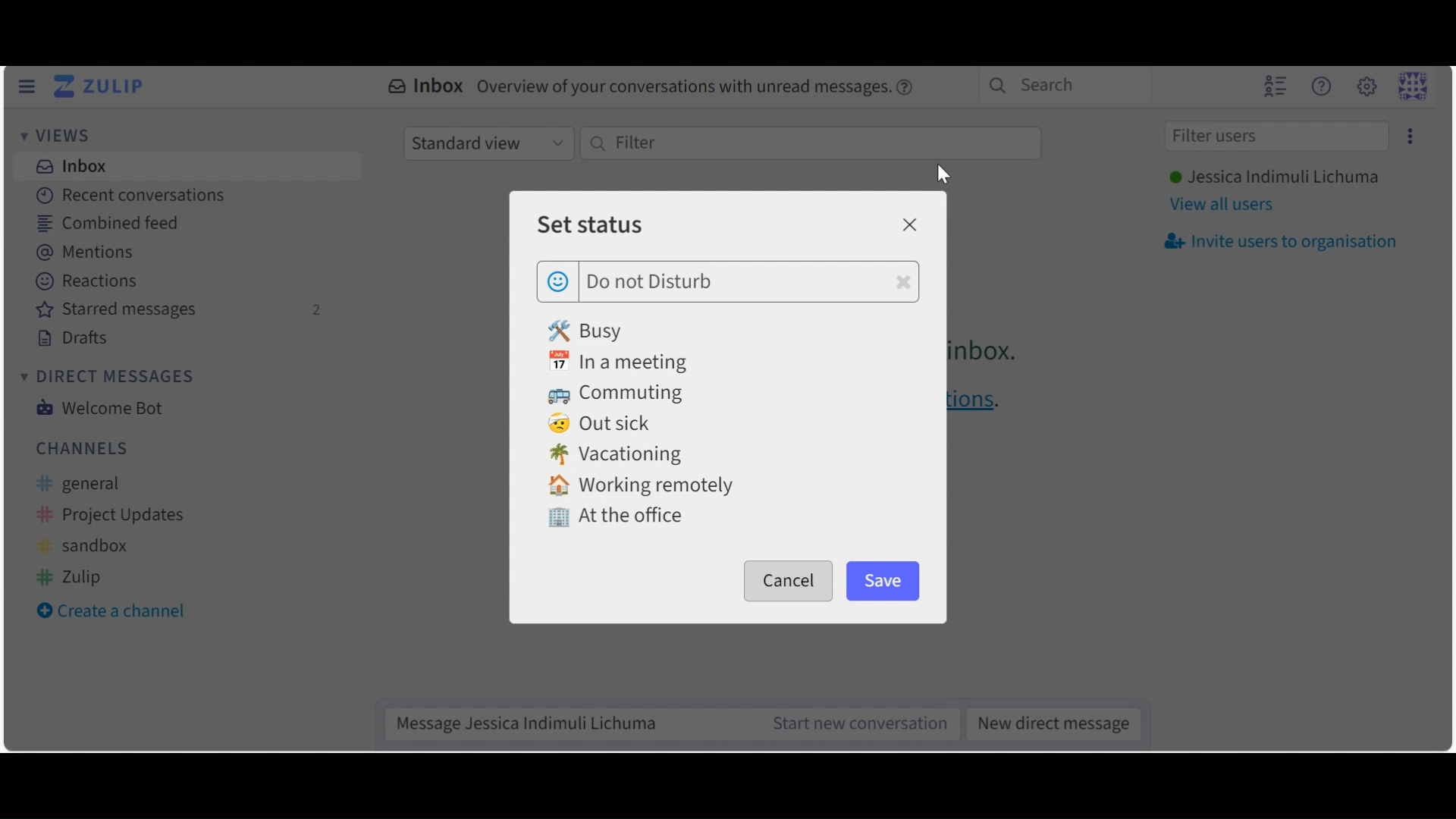 The height and width of the screenshot is (819, 1456). I want to click on Invite users to organisation, so click(1407, 136).